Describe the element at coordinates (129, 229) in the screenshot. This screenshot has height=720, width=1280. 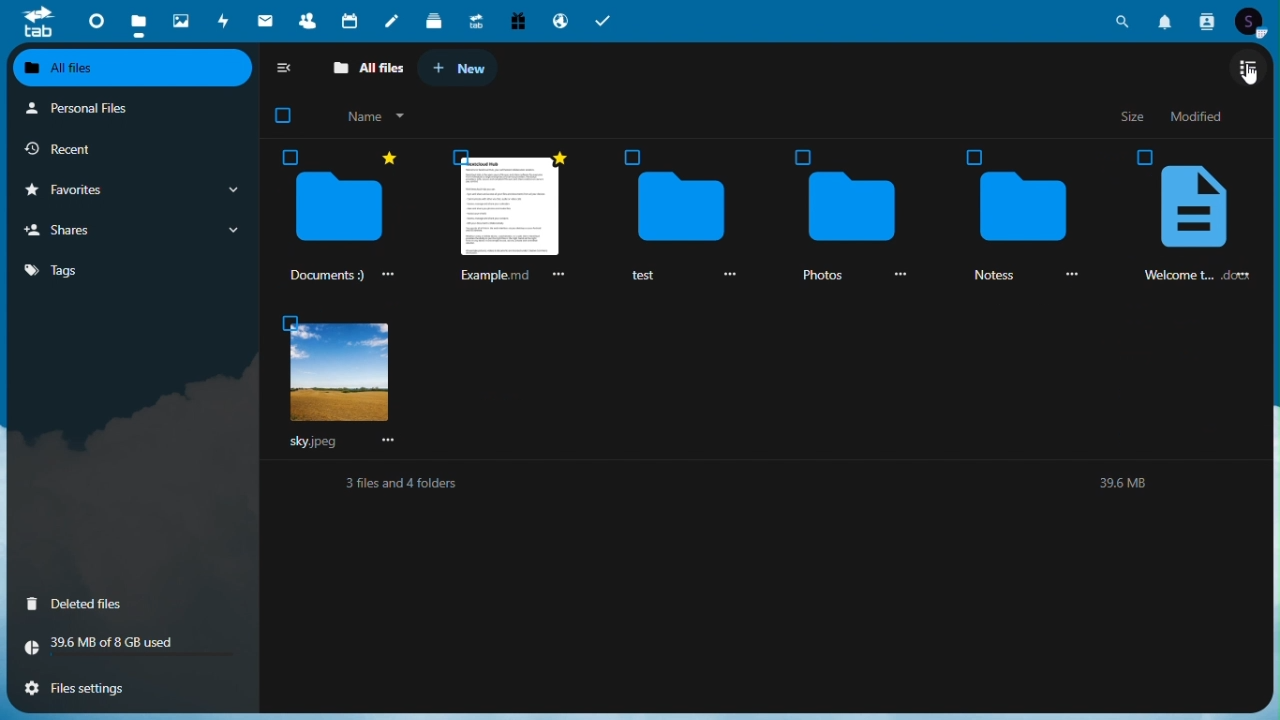
I see `shares` at that location.